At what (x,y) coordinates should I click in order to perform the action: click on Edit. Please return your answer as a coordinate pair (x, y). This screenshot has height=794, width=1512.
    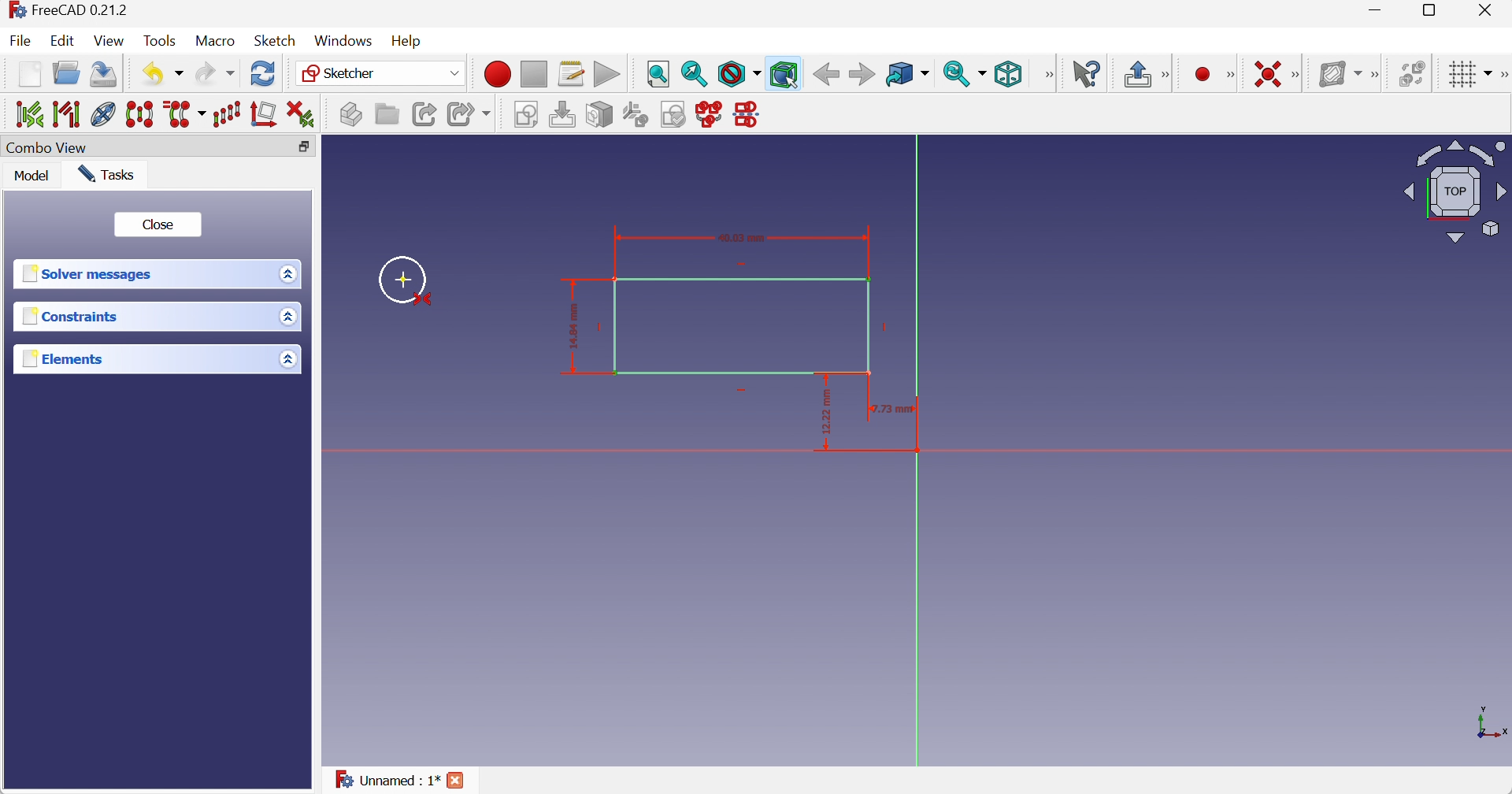
    Looking at the image, I should click on (61, 40).